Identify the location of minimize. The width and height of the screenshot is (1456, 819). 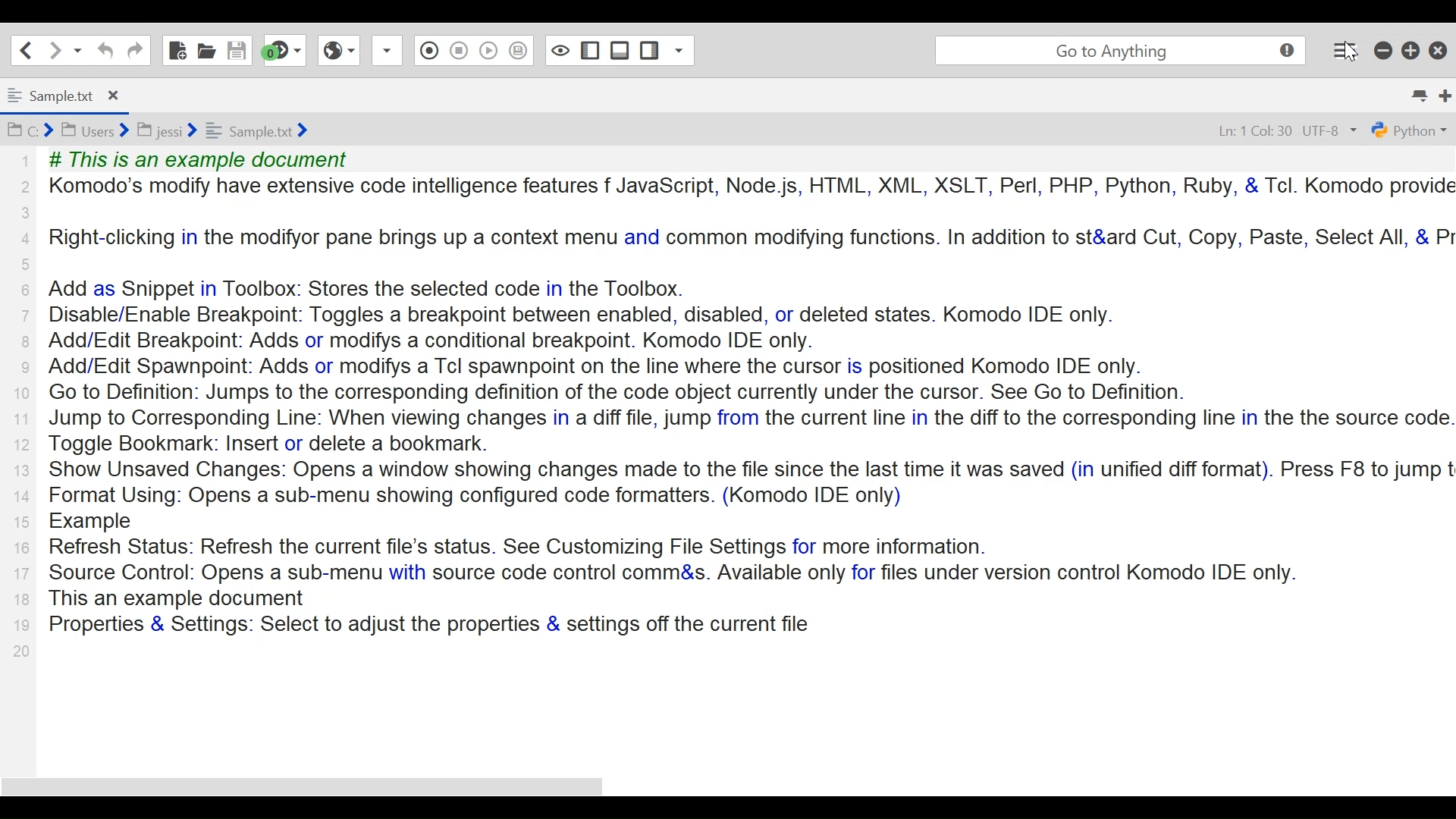
(1380, 50).